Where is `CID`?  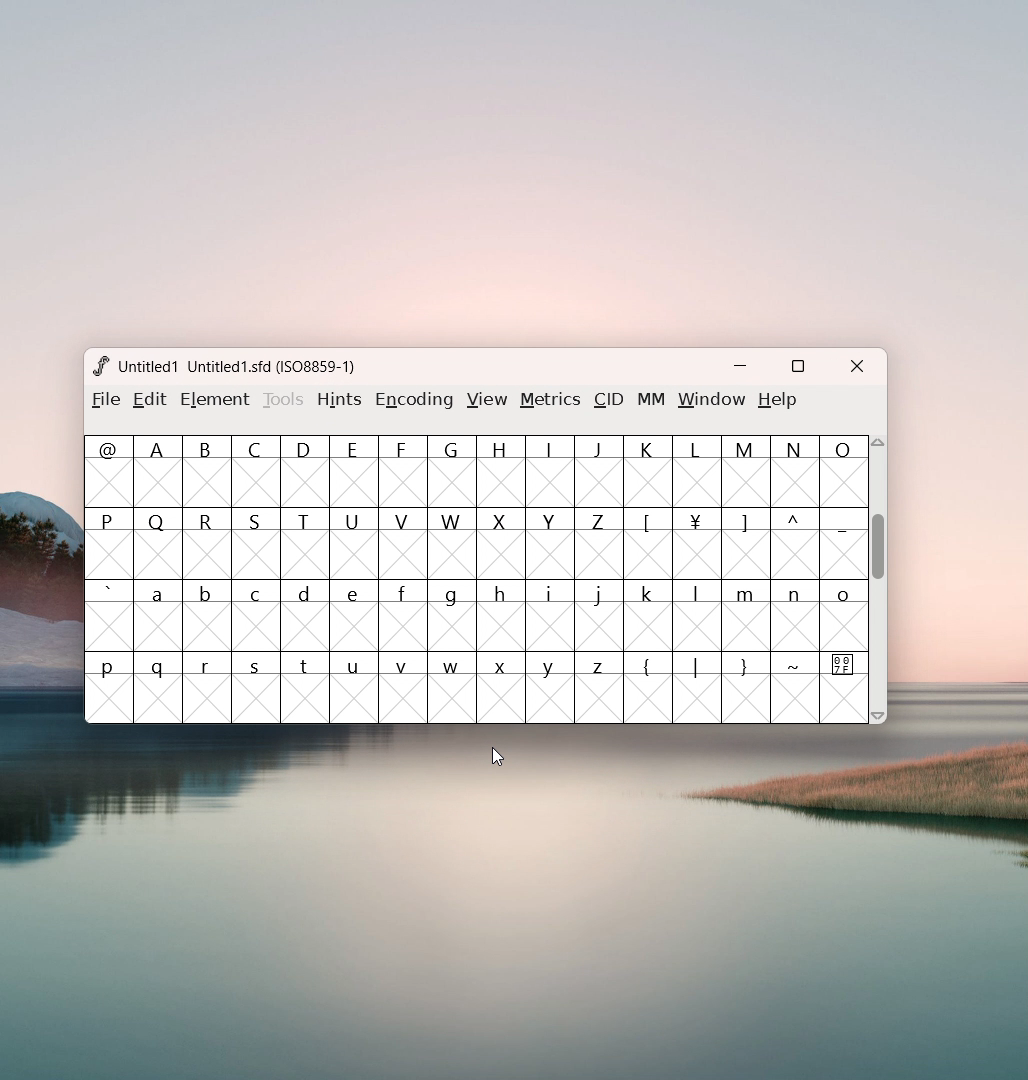 CID is located at coordinates (609, 400).